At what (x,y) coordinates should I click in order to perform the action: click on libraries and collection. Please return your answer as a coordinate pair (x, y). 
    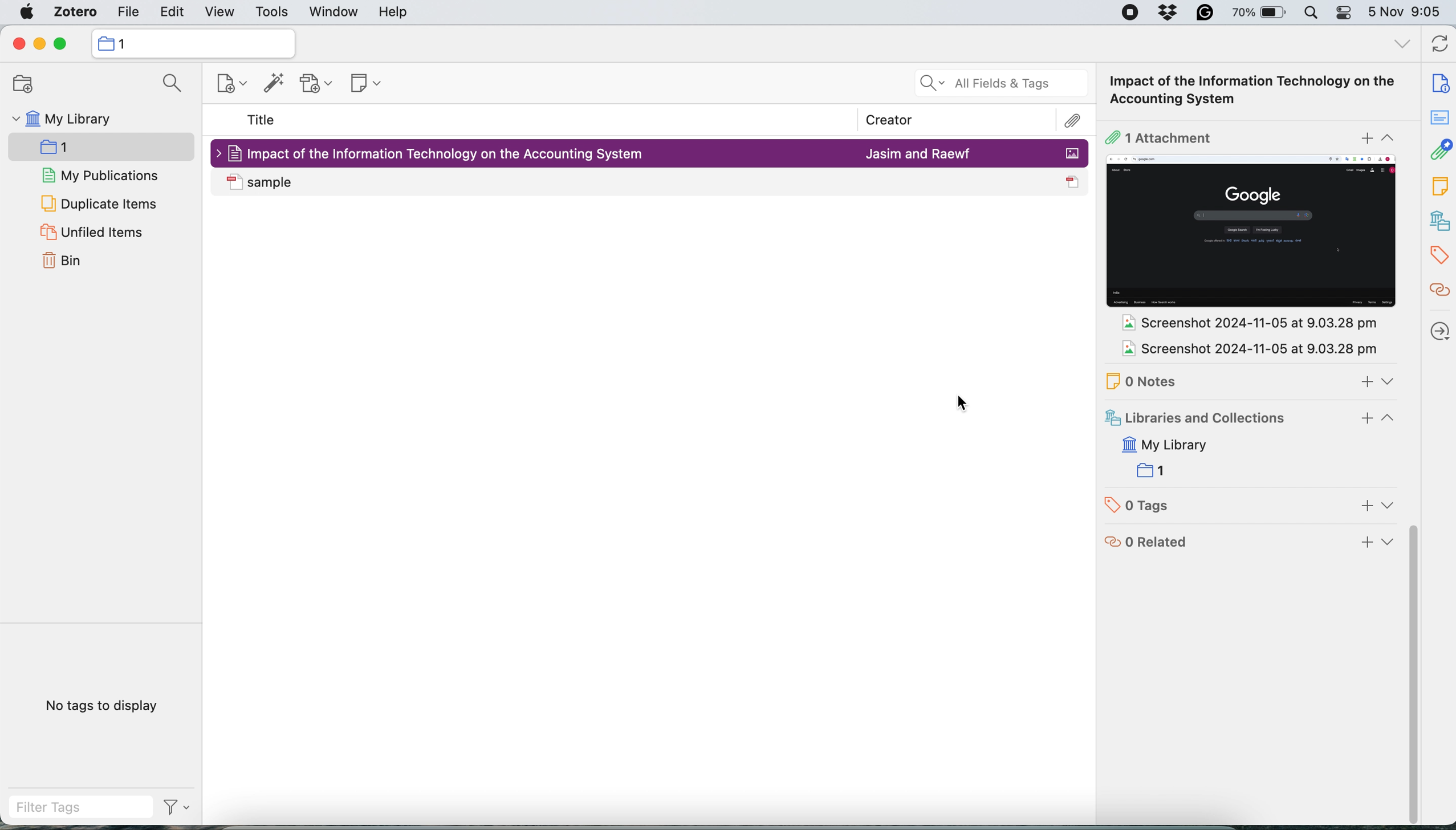
    Looking at the image, I should click on (1251, 418).